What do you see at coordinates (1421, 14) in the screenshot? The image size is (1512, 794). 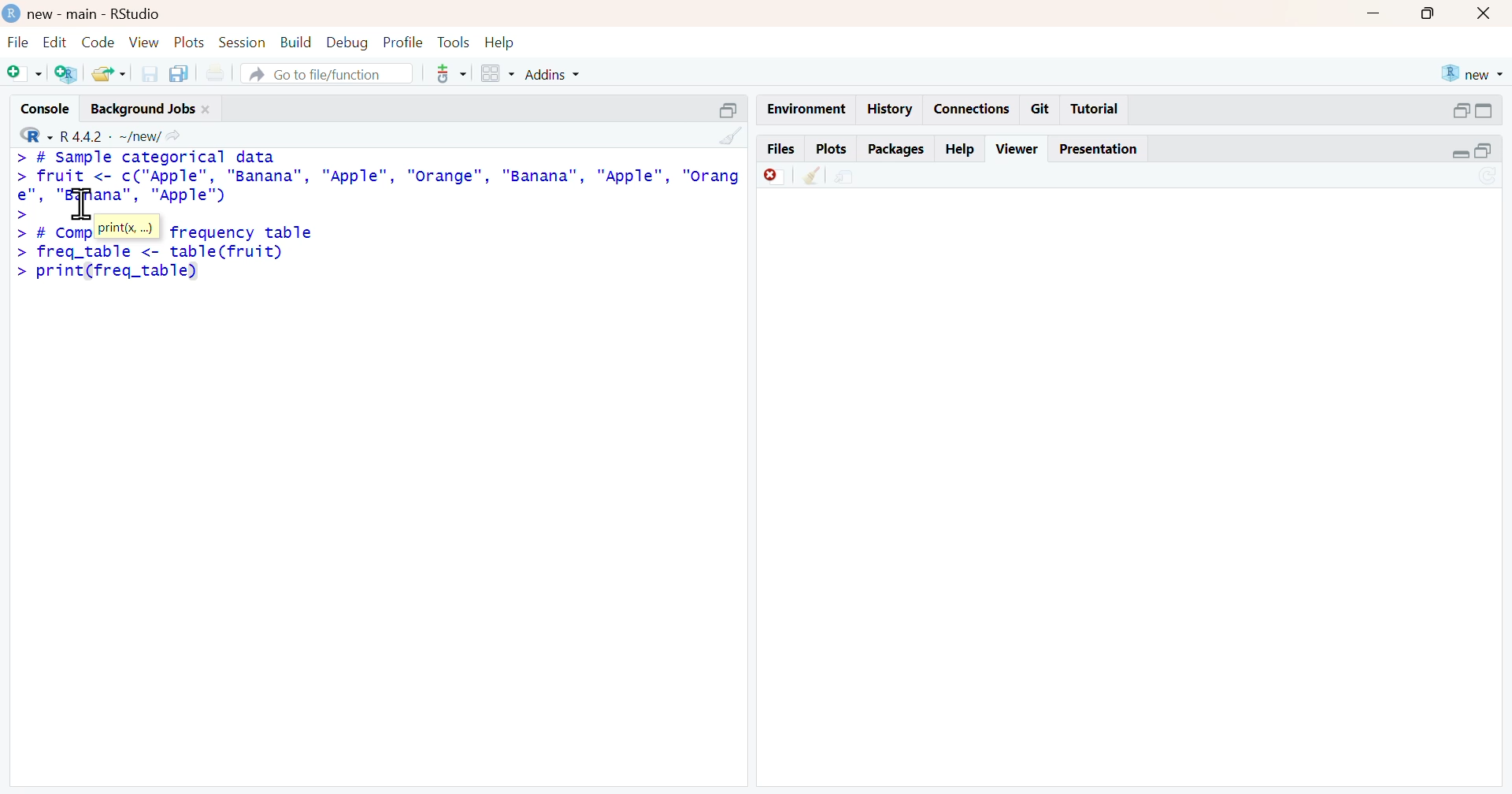 I see `maximize` at bounding box center [1421, 14].